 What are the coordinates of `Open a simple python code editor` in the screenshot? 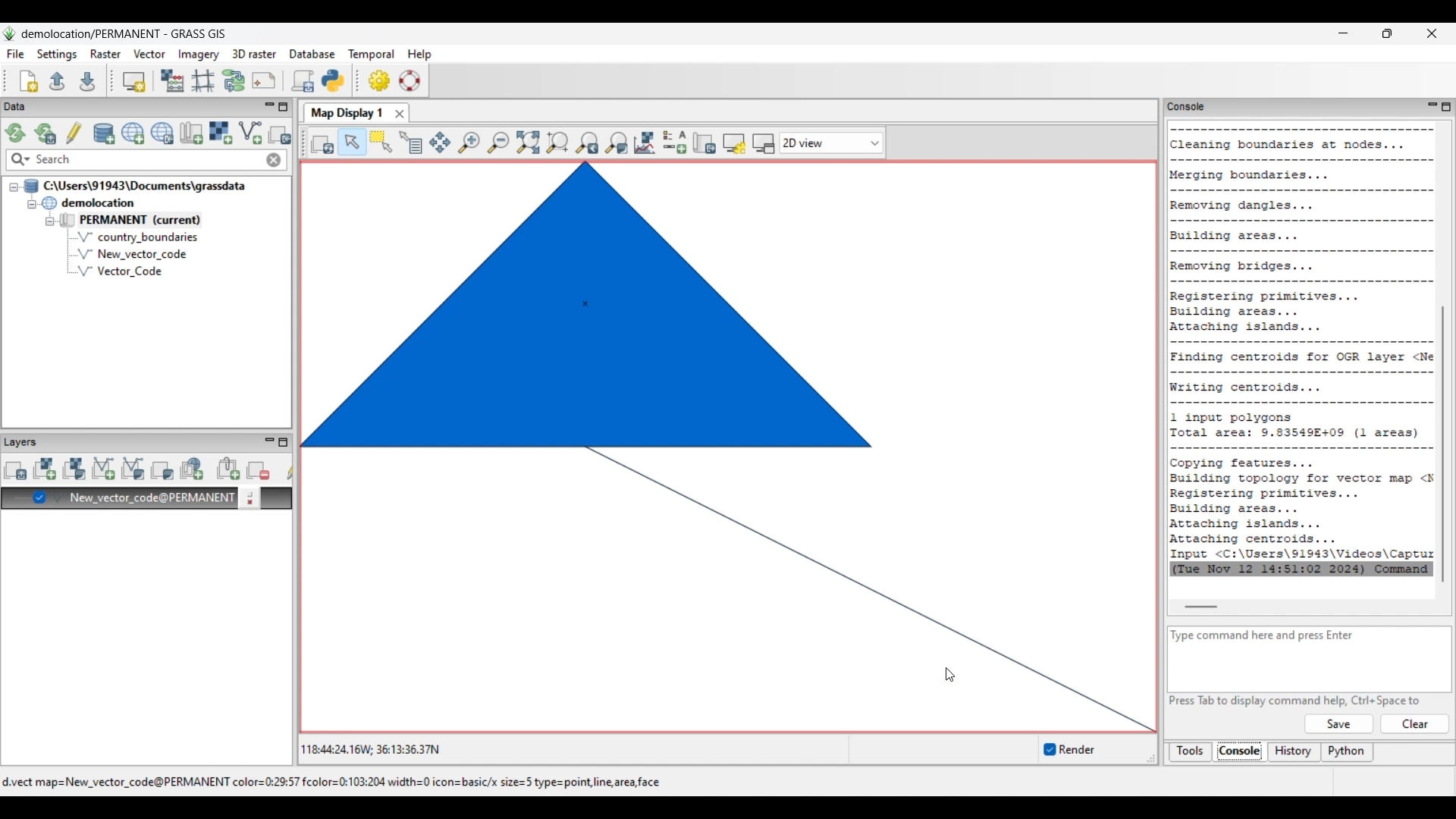 It's located at (333, 80).